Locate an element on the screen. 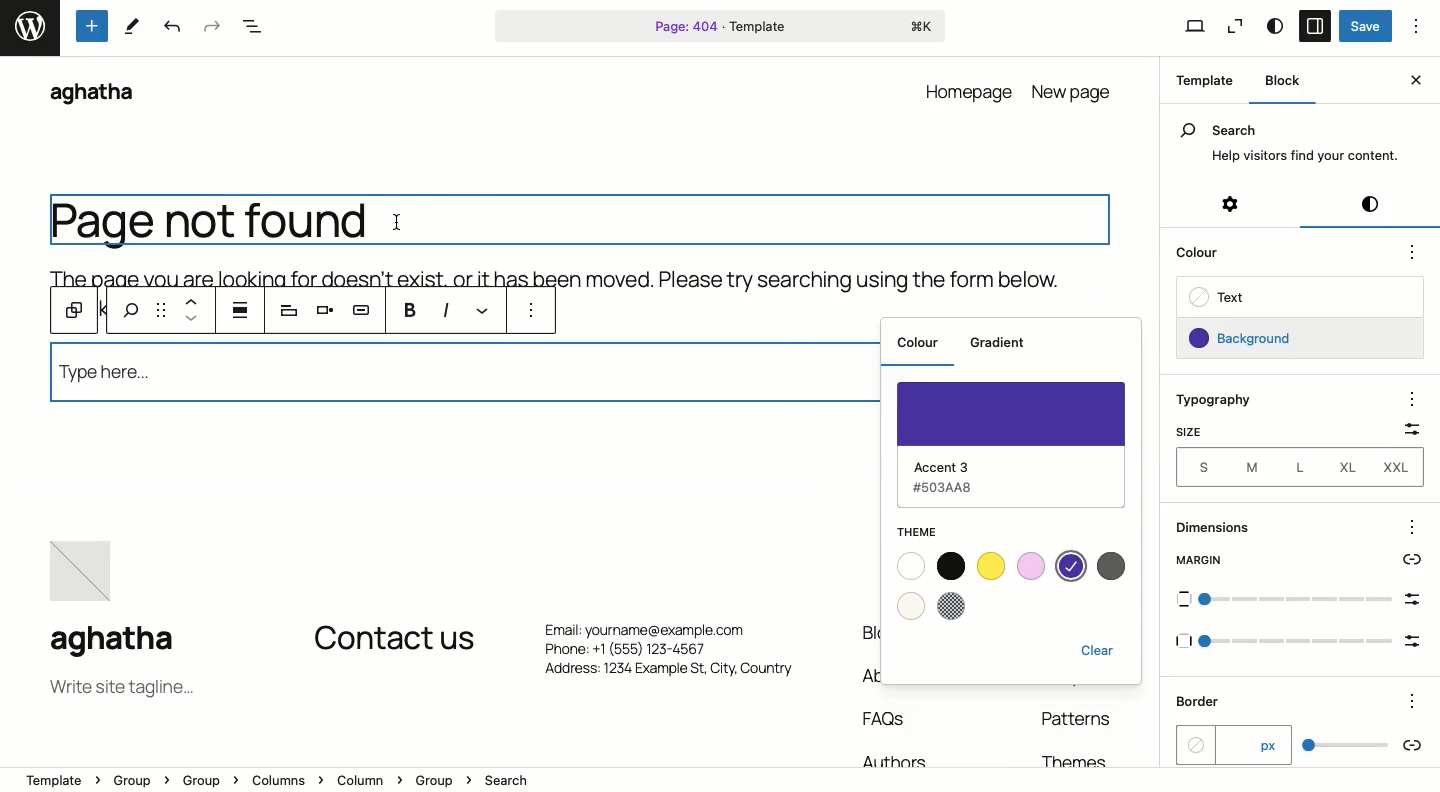 This screenshot has width=1440, height=792. View is located at coordinates (1184, 25).